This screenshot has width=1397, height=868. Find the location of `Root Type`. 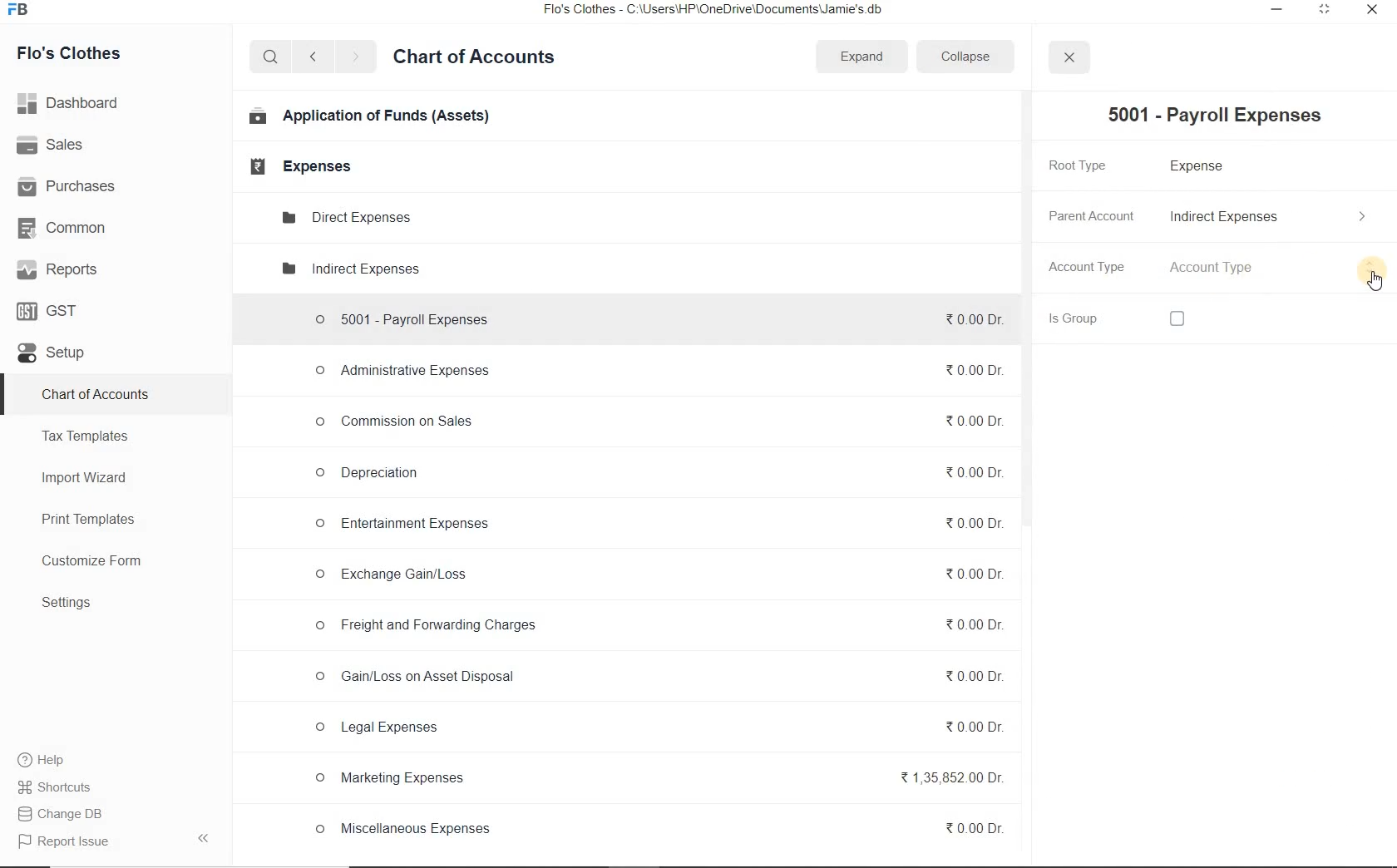

Root Type is located at coordinates (1087, 165).